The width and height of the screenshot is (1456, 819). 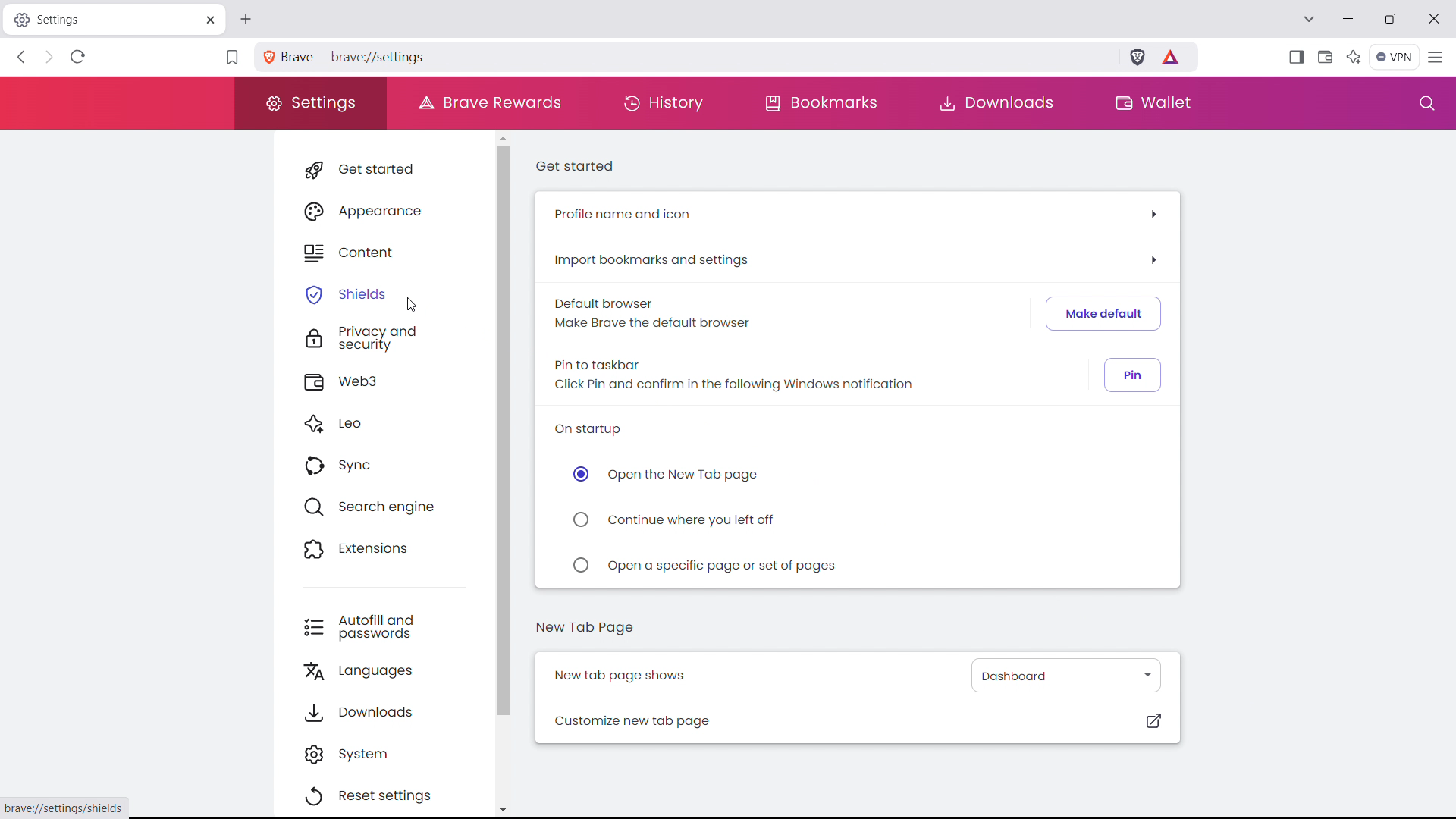 What do you see at coordinates (384, 422) in the screenshot?
I see `leo` at bounding box center [384, 422].